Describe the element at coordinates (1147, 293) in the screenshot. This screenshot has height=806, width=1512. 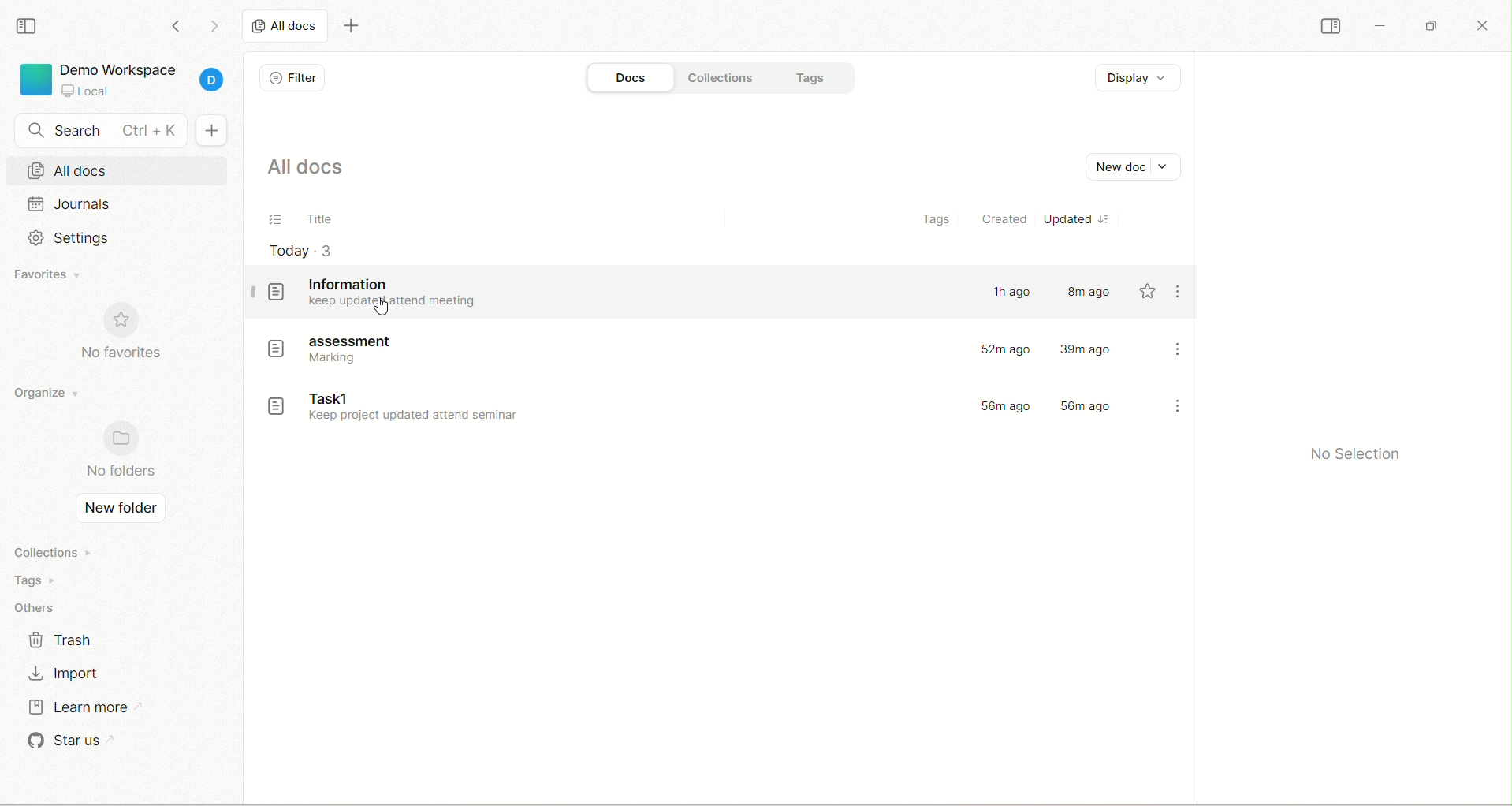
I see `favourite` at that location.